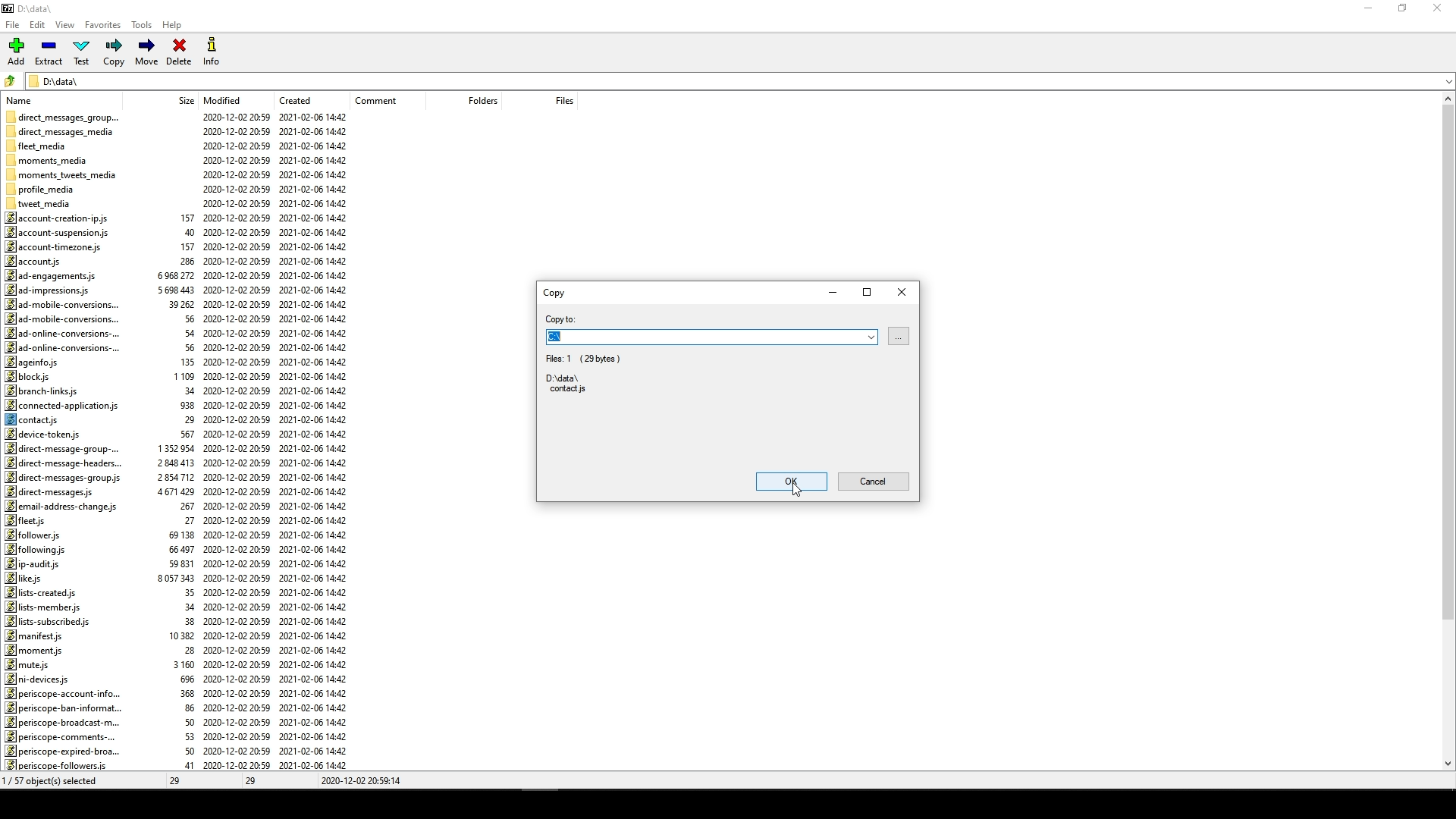  What do you see at coordinates (66, 174) in the screenshot?
I see `moments_tweets_media` at bounding box center [66, 174].